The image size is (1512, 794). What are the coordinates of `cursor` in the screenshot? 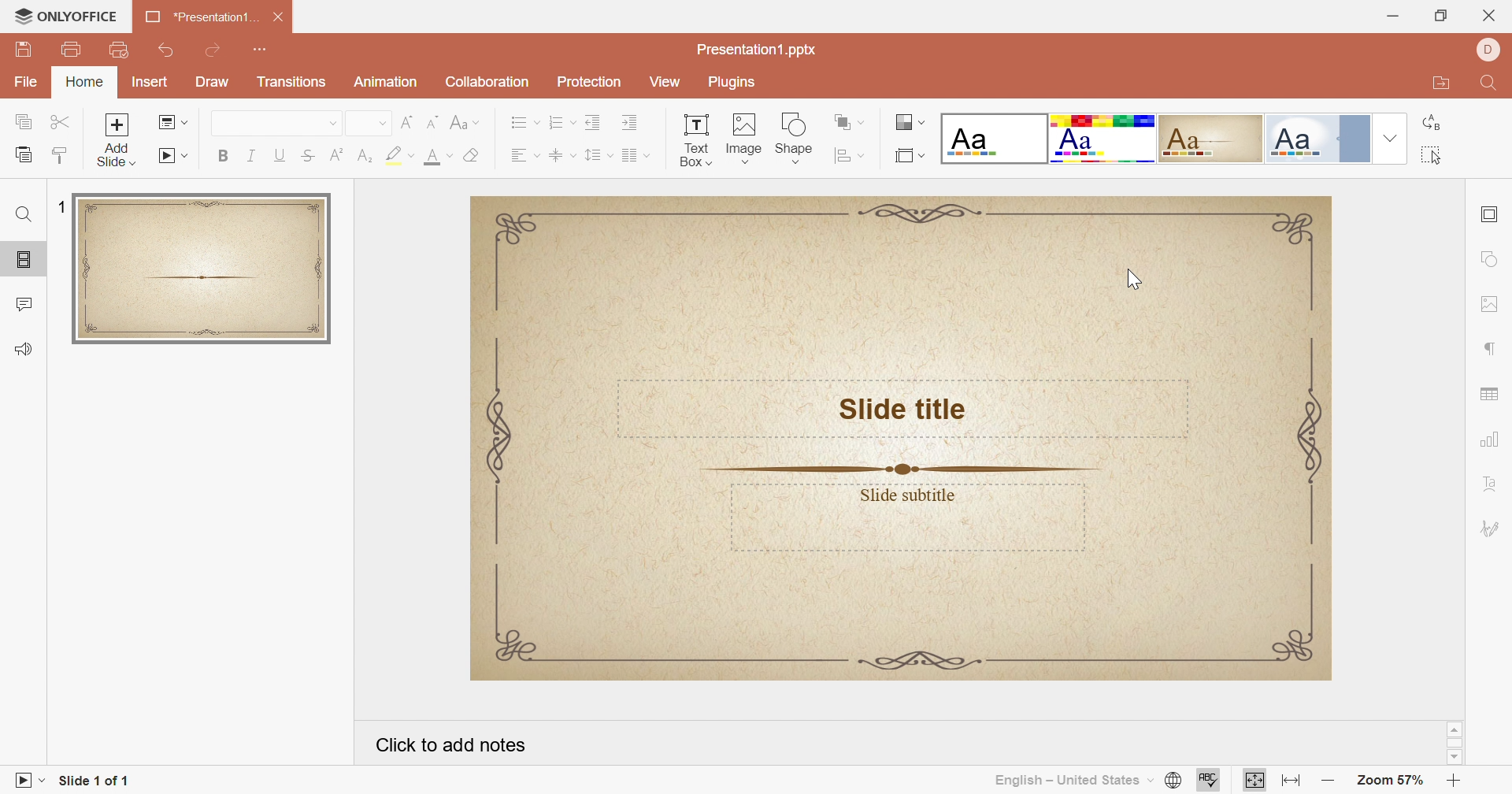 It's located at (1135, 278).